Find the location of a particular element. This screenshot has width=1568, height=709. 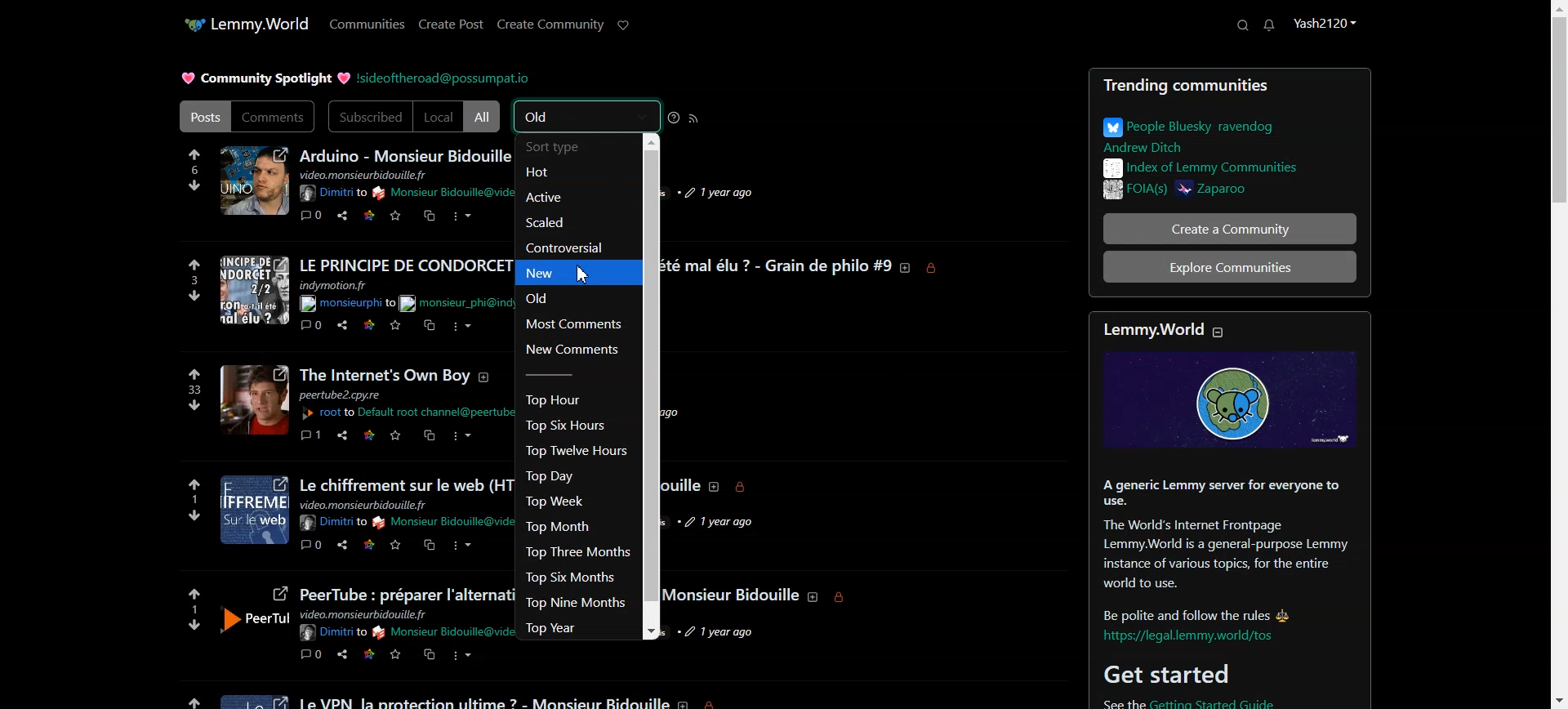

 is located at coordinates (813, 598).